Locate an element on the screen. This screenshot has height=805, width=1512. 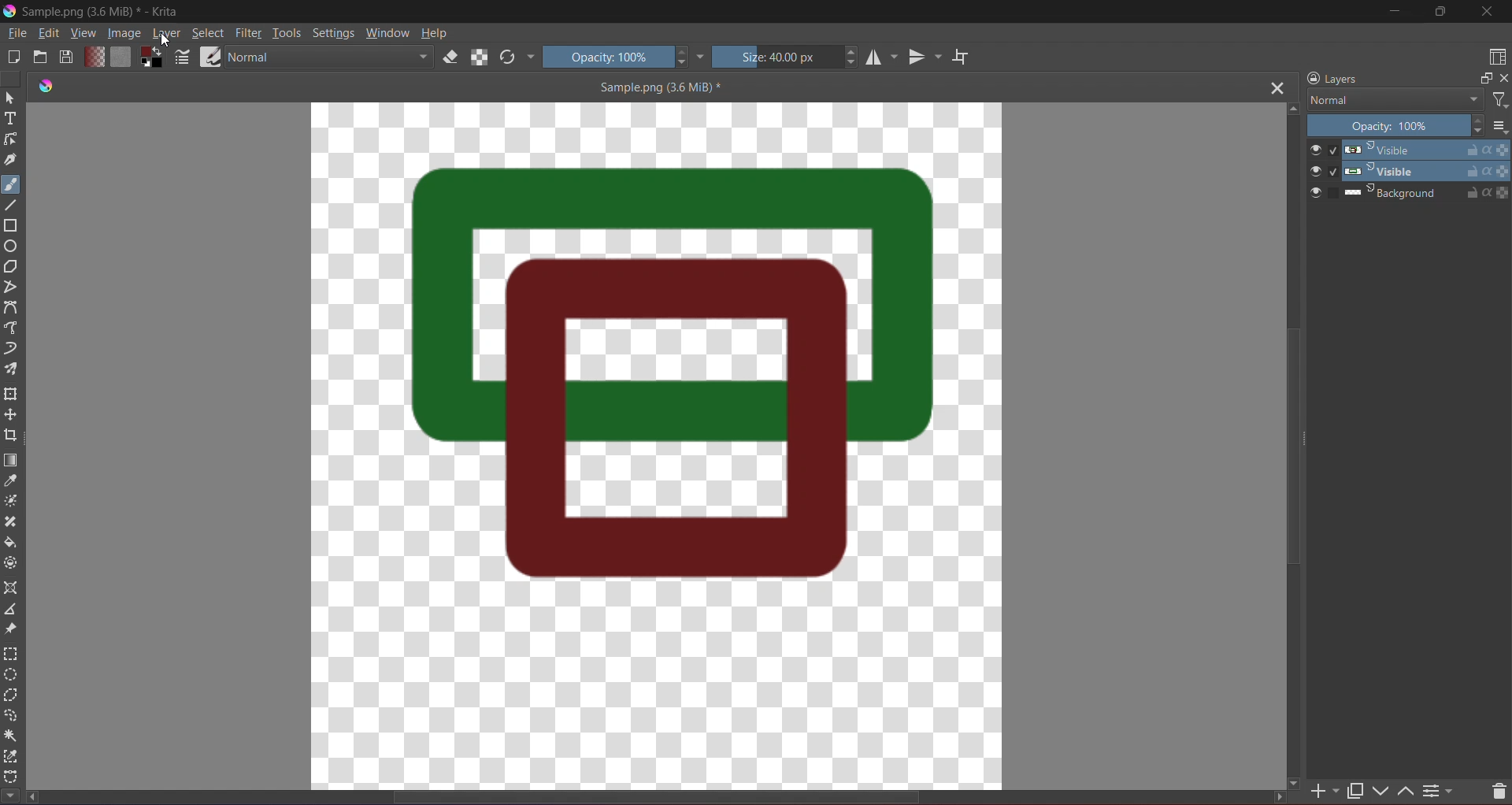
Add is located at coordinates (1326, 787).